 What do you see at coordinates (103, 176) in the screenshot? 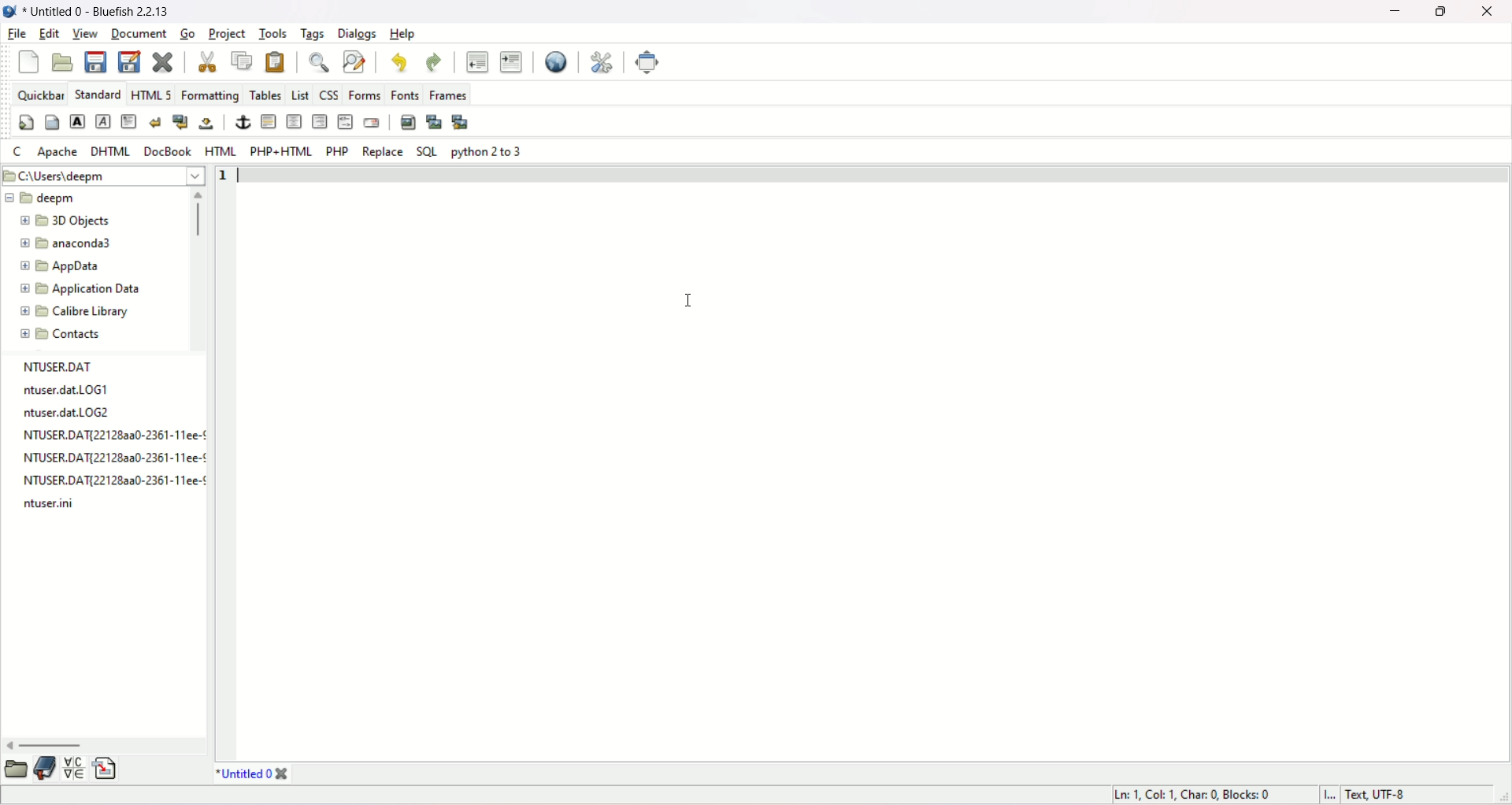
I see `filepath` at bounding box center [103, 176].